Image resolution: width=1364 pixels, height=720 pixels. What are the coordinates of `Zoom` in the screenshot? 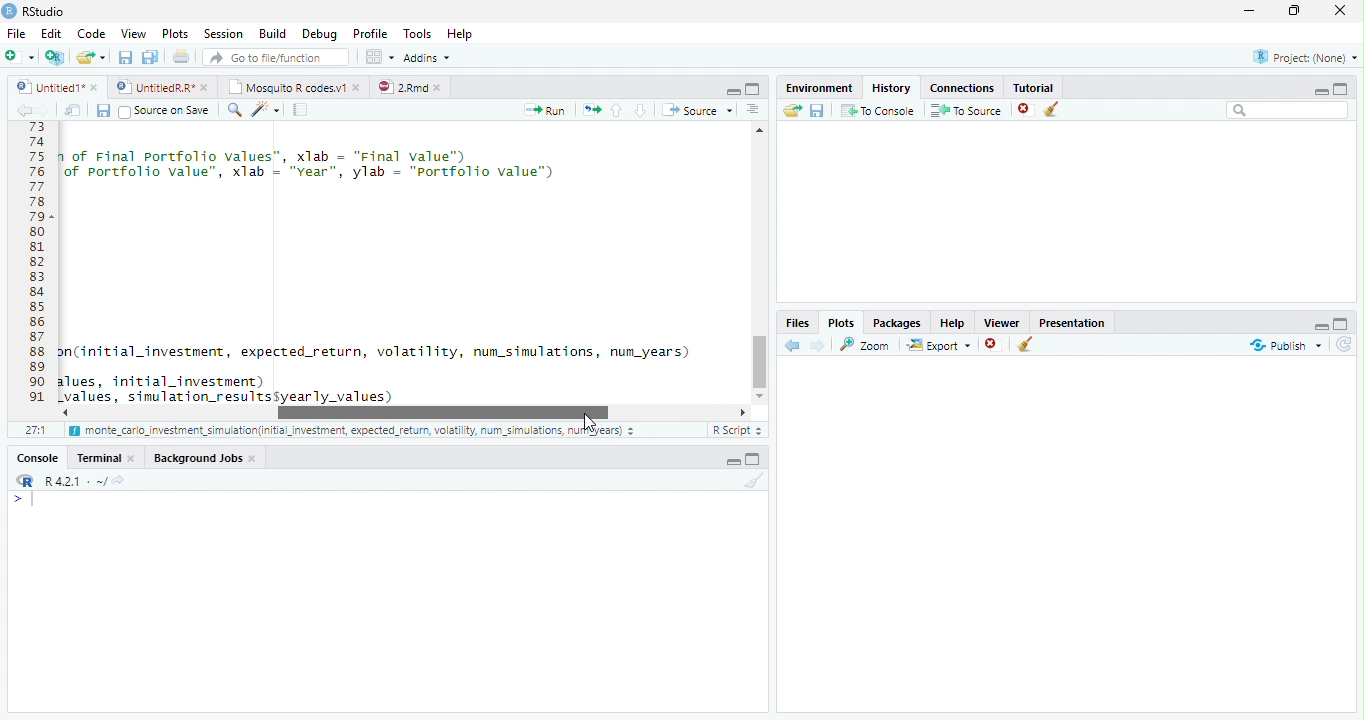 It's located at (866, 344).